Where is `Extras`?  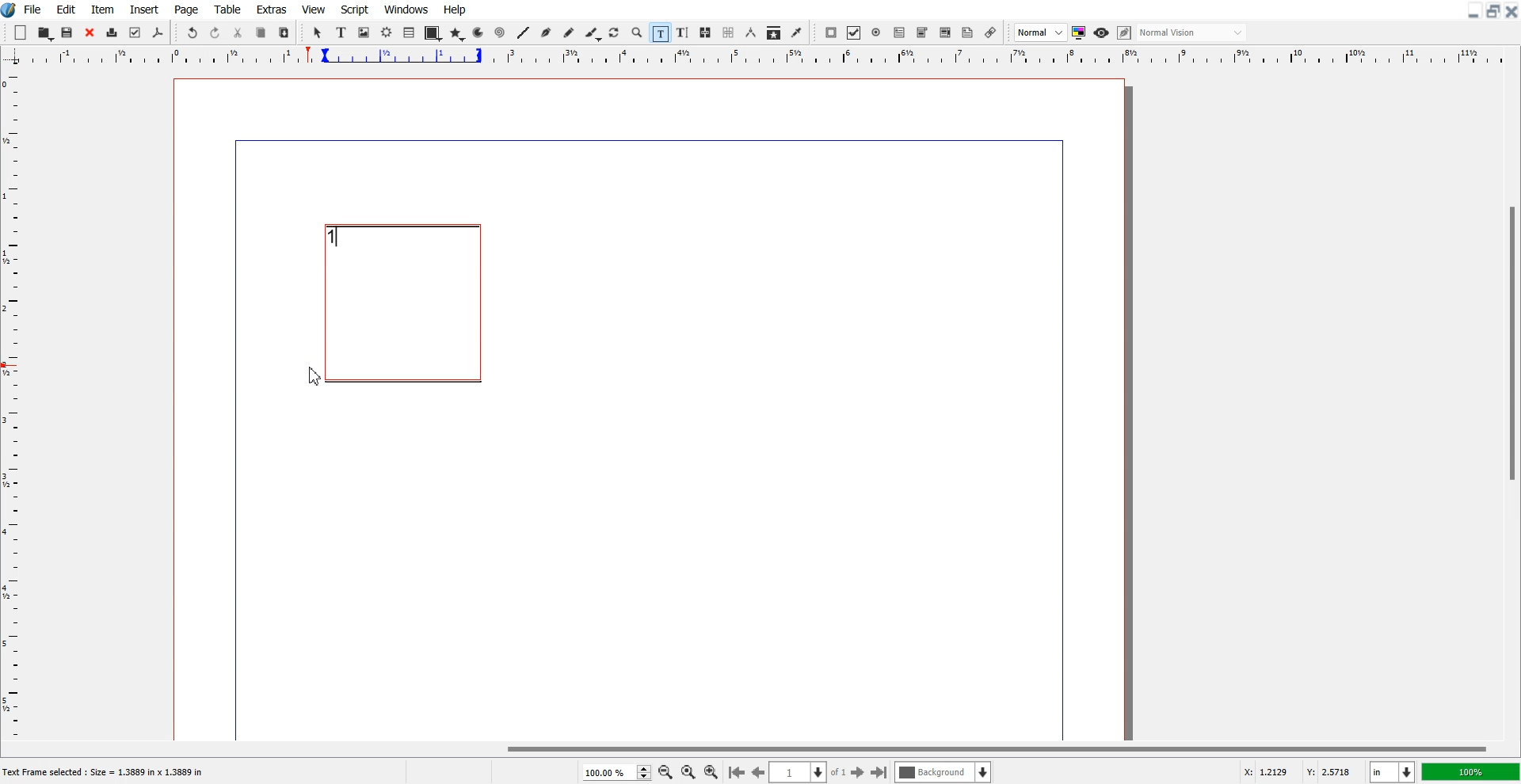 Extras is located at coordinates (272, 9).